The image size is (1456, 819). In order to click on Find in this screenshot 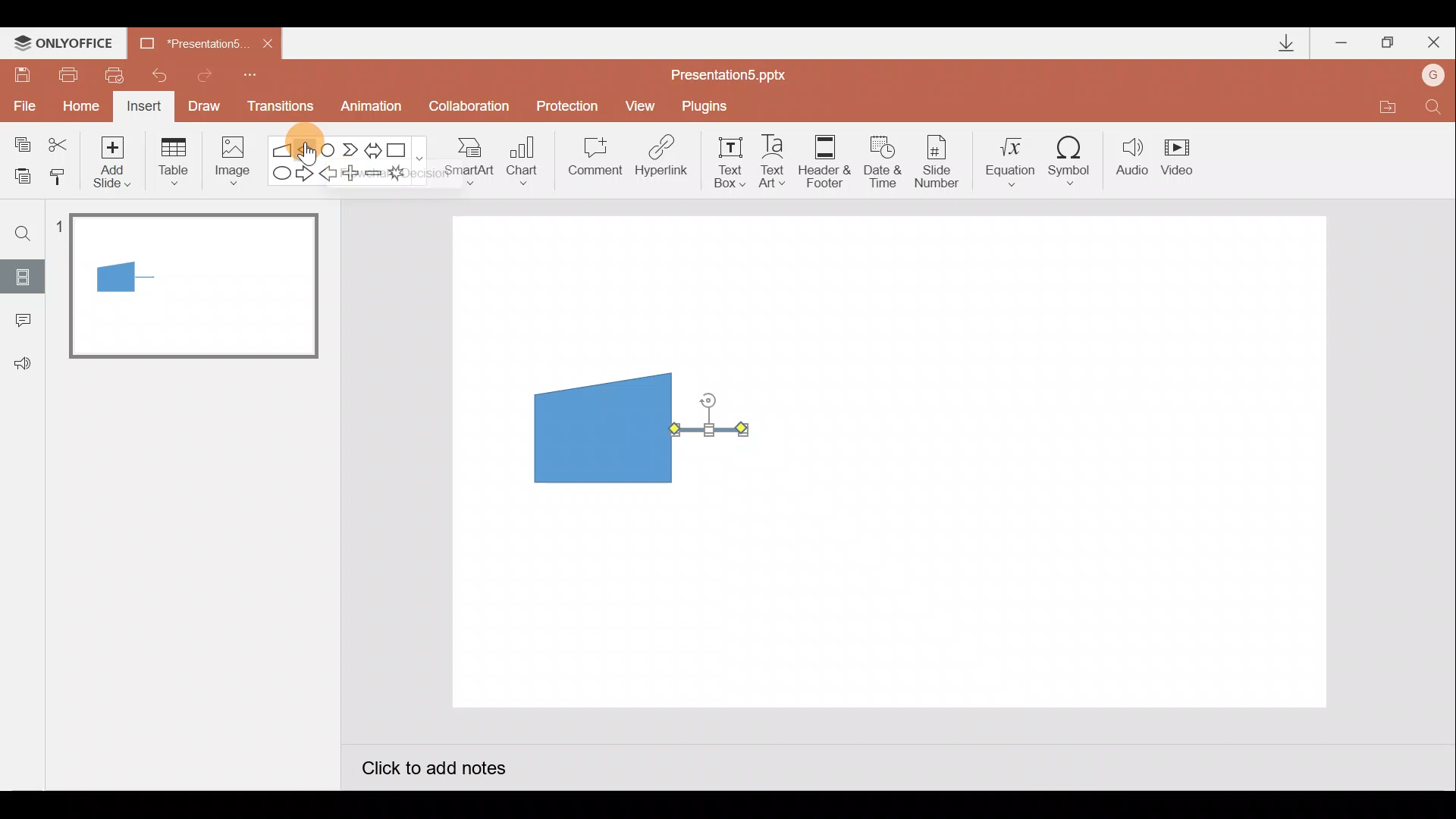, I will do `click(24, 233)`.